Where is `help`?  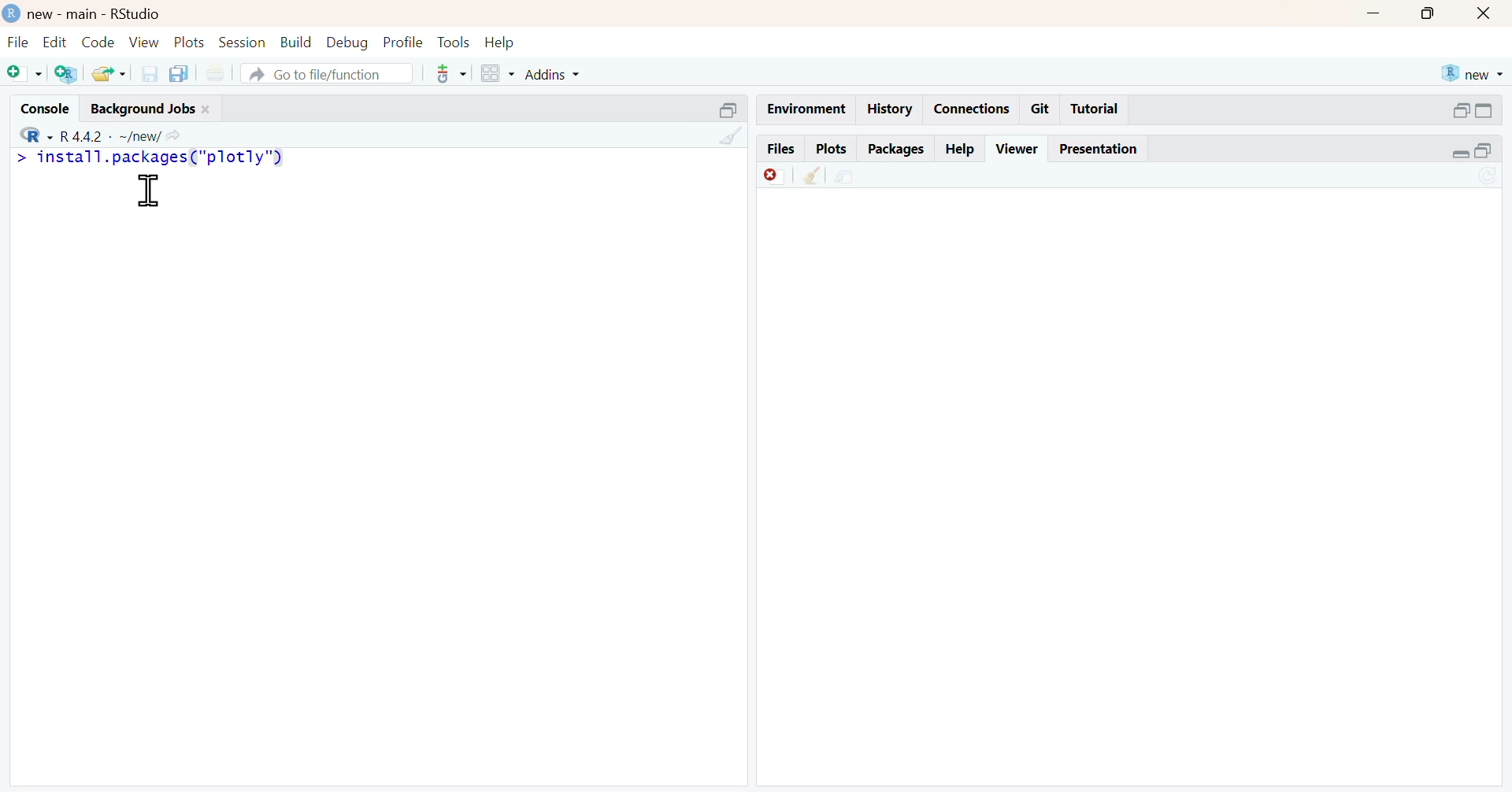 help is located at coordinates (961, 146).